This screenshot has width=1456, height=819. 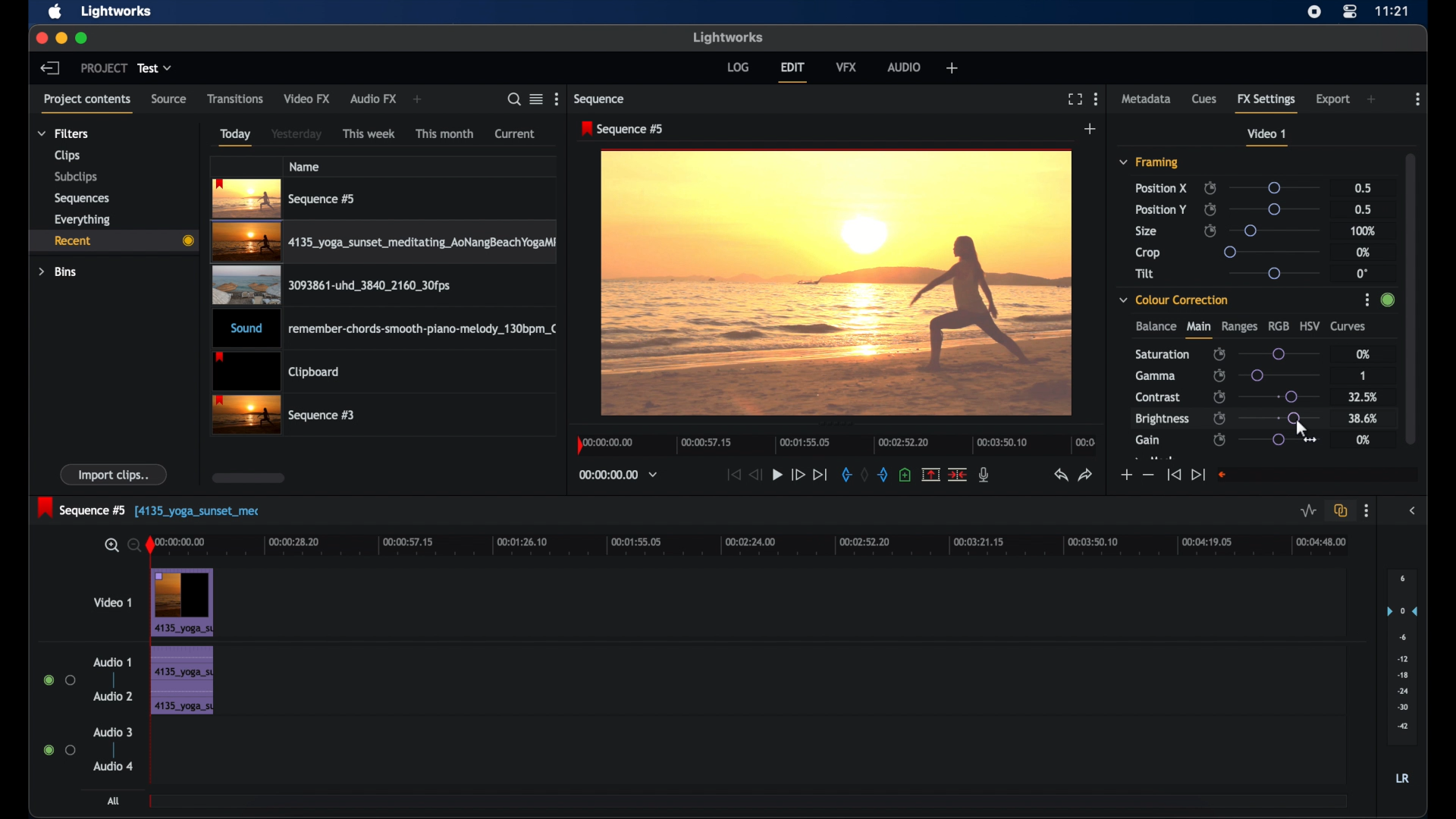 I want to click on scrollbar, so click(x=1413, y=297).